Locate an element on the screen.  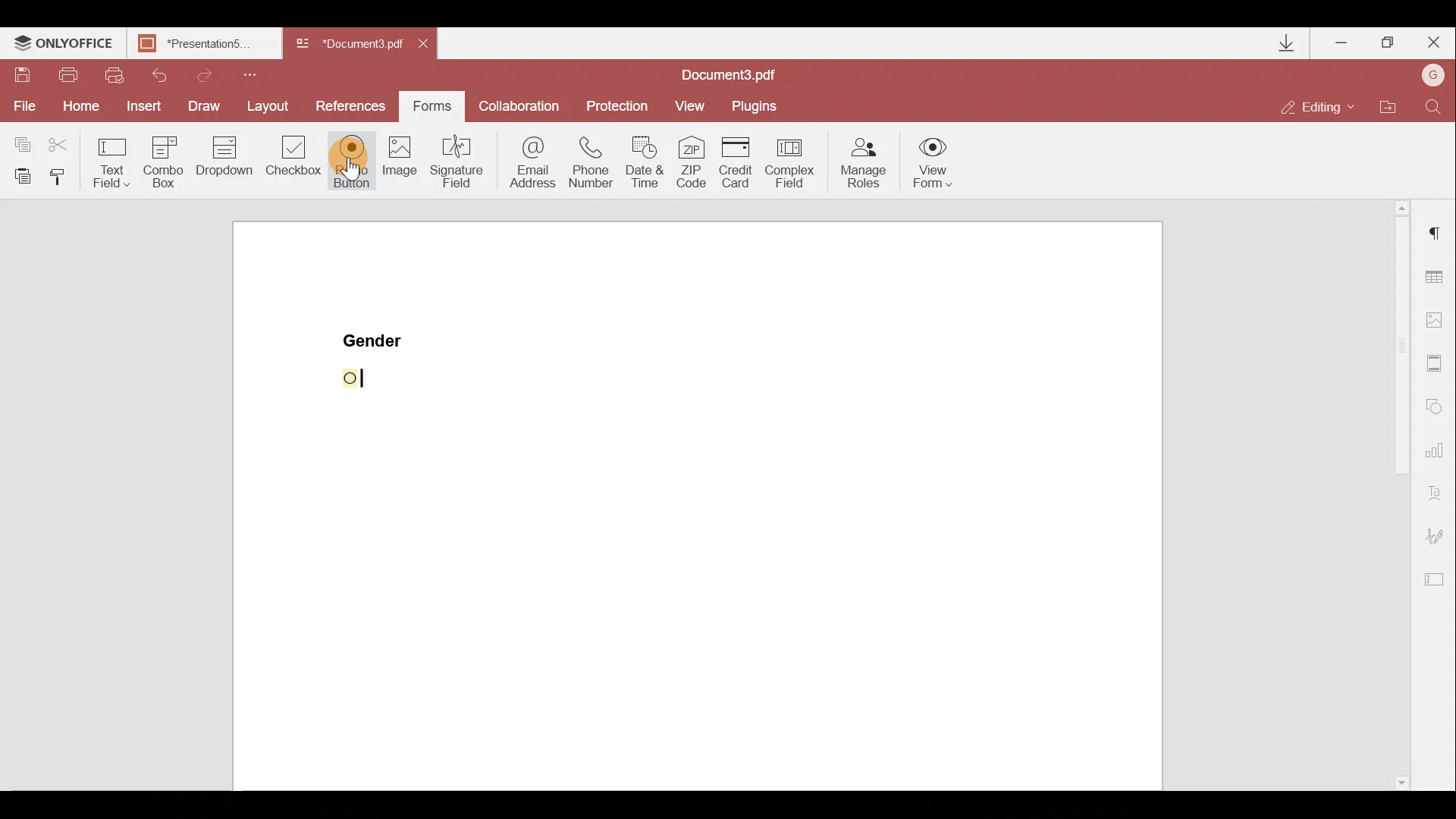
View is located at coordinates (697, 104).